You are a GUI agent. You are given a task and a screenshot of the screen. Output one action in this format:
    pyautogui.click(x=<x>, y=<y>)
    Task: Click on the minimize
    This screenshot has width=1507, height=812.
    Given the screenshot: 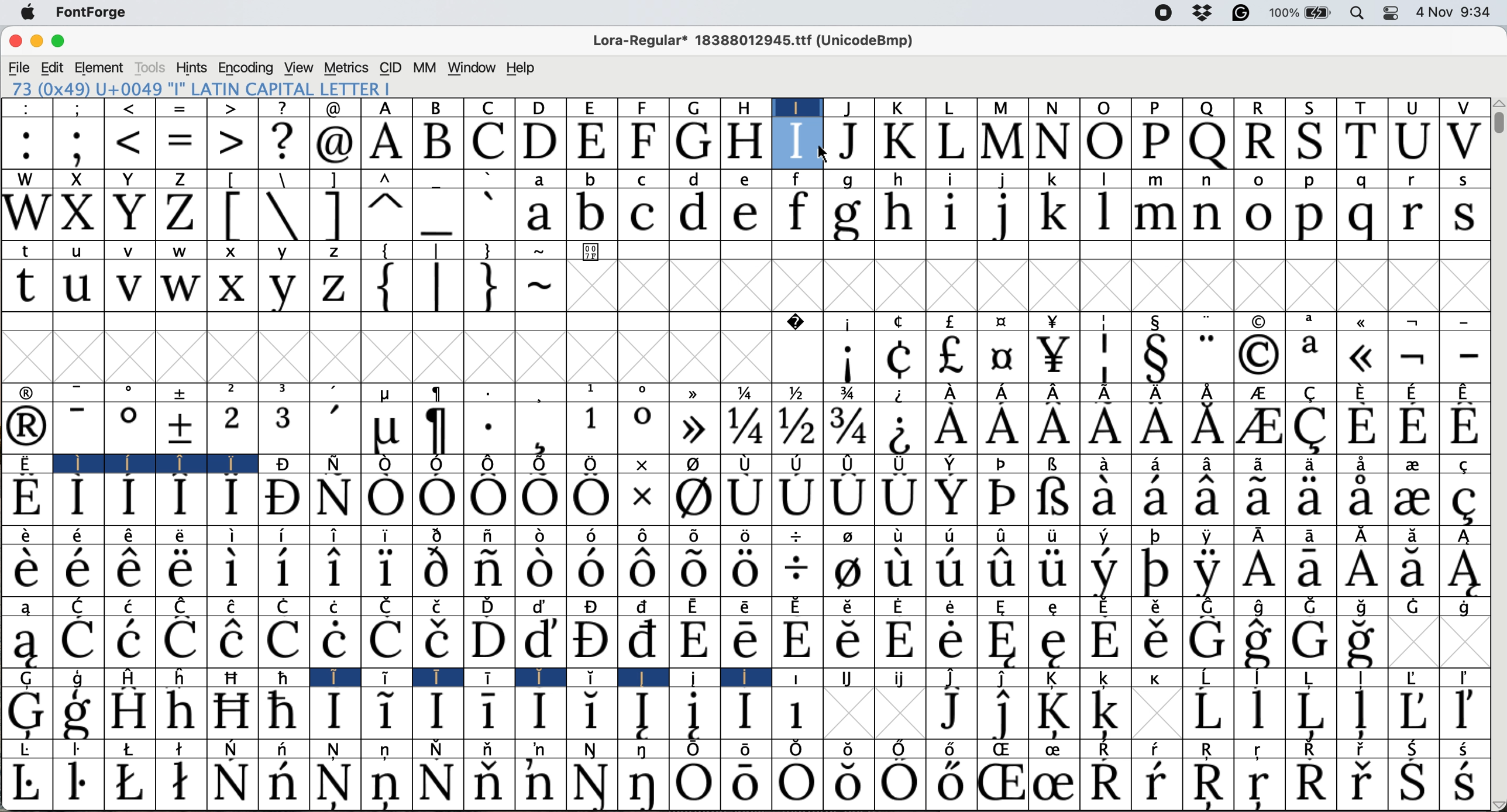 What is the action you would take?
    pyautogui.click(x=35, y=40)
    